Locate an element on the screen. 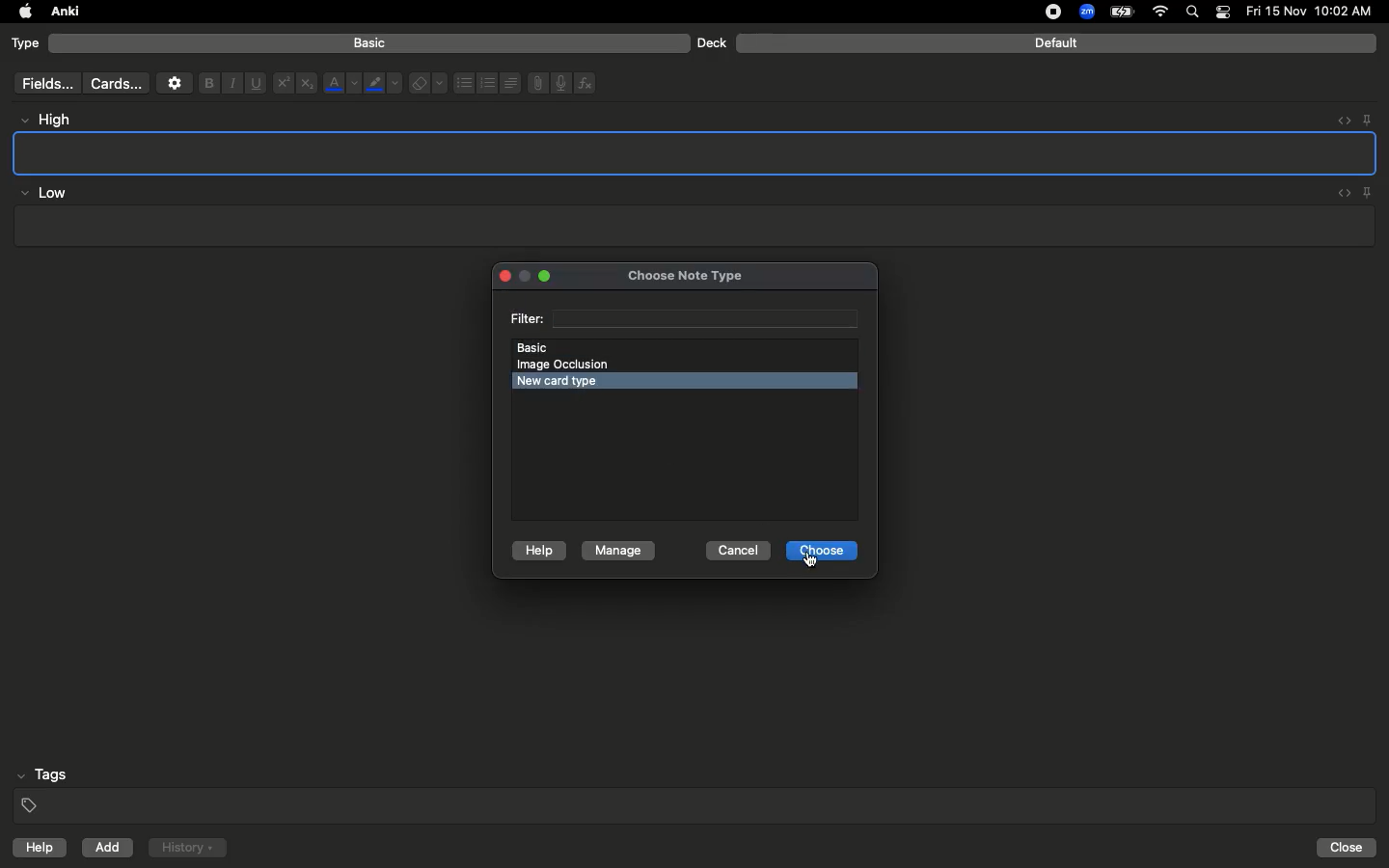 The image size is (1389, 868). Cancel is located at coordinates (738, 551).